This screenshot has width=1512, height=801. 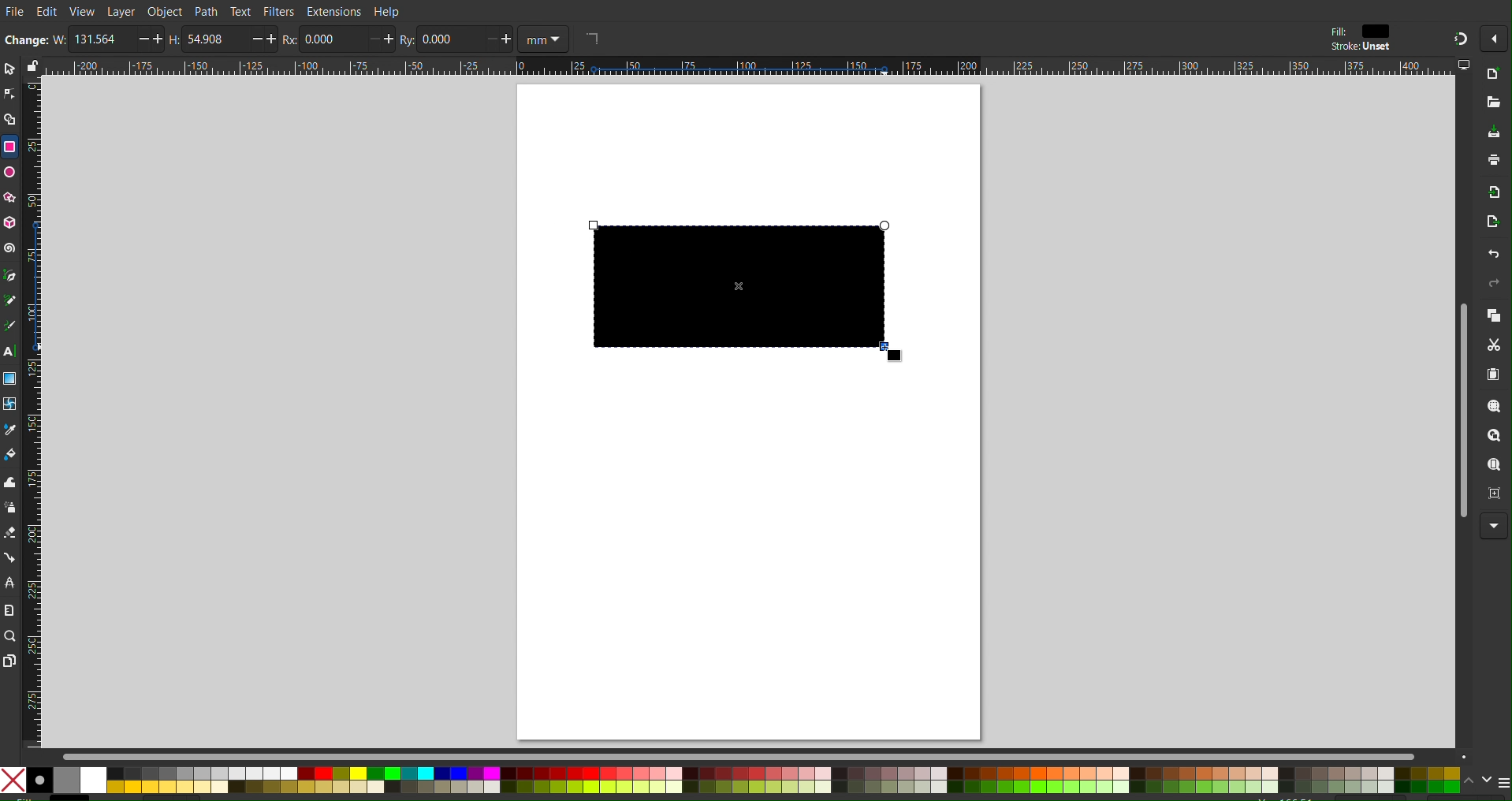 What do you see at coordinates (757, 754) in the screenshot?
I see `Scrollbar` at bounding box center [757, 754].